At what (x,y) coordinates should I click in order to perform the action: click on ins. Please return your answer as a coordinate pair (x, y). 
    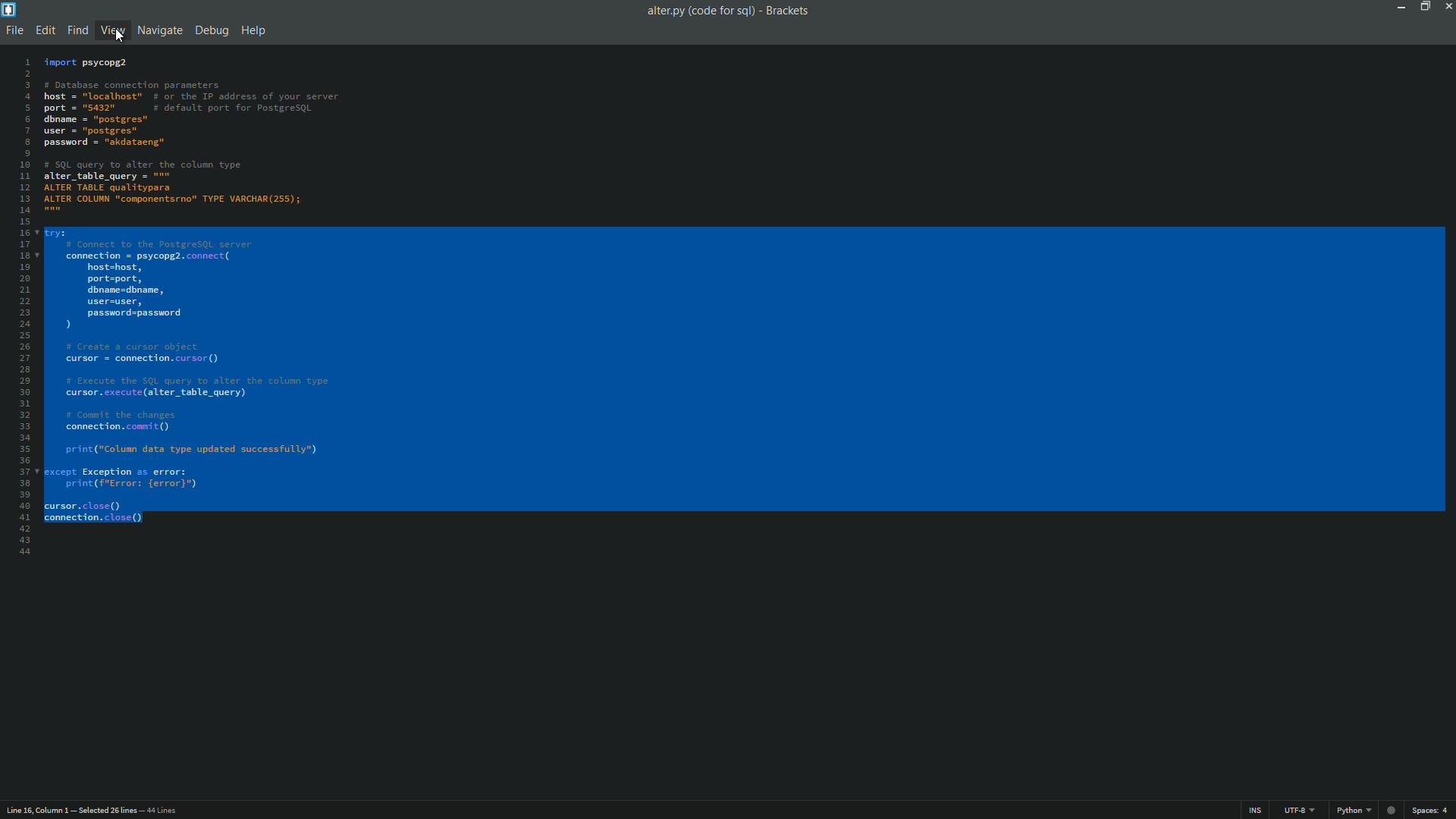
    Looking at the image, I should click on (1254, 812).